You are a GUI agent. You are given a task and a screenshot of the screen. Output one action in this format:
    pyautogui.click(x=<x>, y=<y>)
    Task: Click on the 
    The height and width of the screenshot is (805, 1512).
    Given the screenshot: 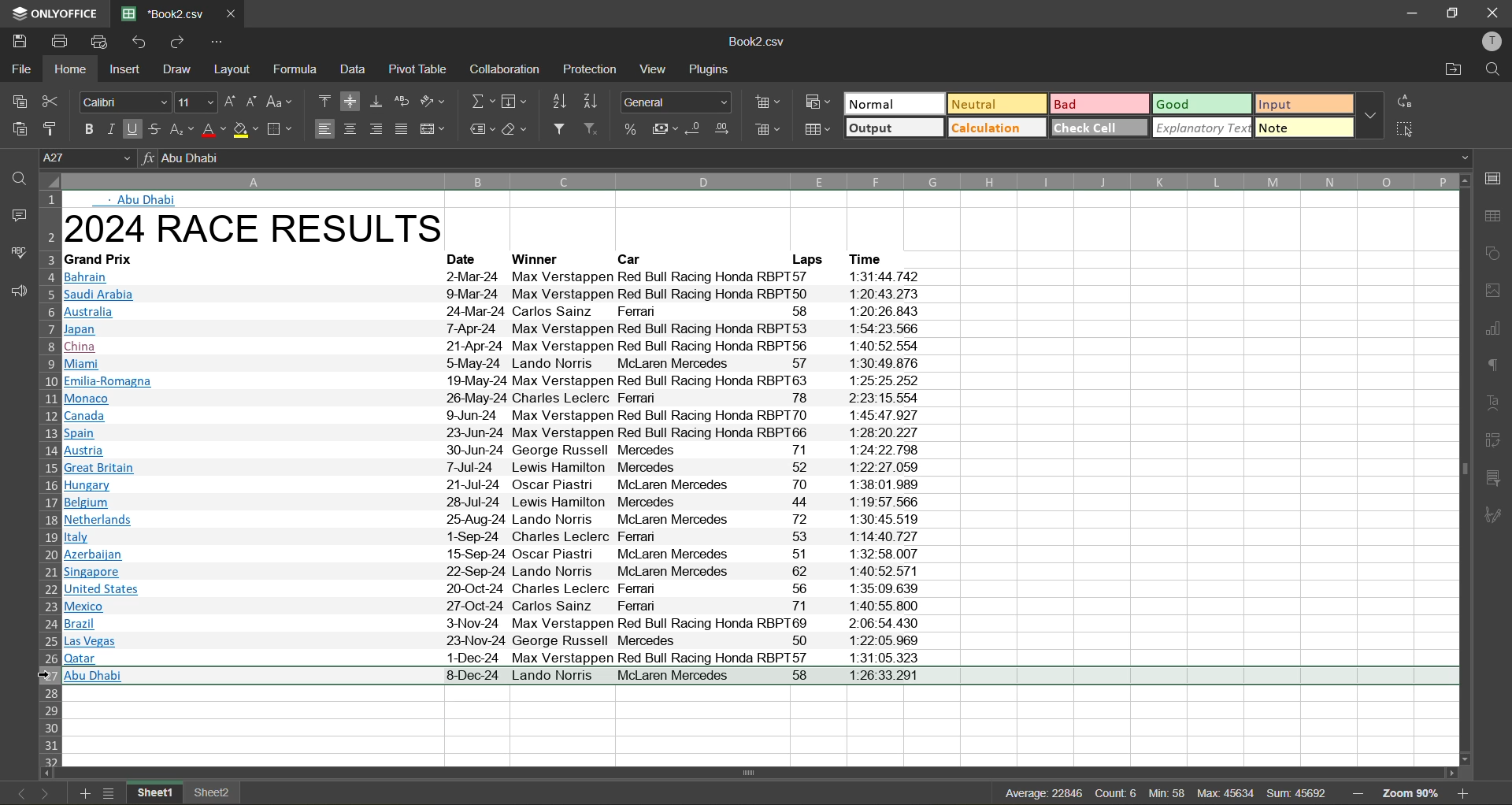 What is the action you would take?
    pyautogui.click(x=492, y=658)
    